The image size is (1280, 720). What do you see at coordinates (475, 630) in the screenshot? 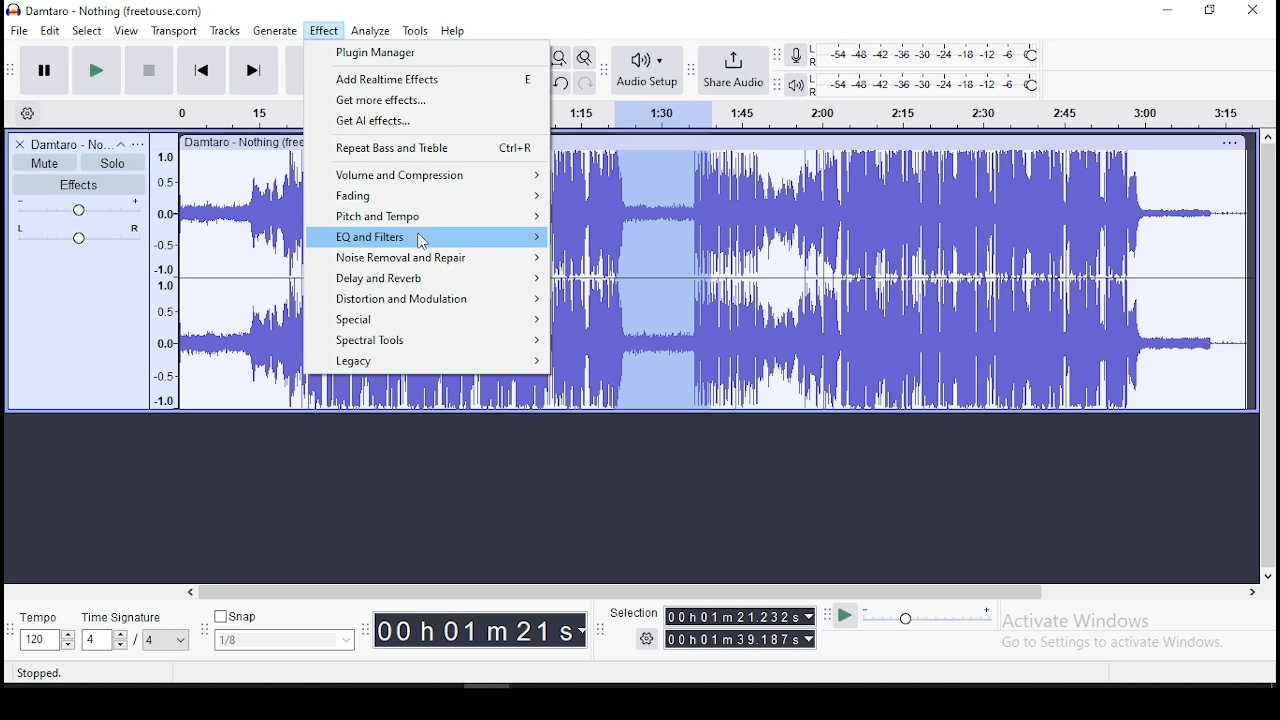
I see `0O0hO01m21s` at bounding box center [475, 630].